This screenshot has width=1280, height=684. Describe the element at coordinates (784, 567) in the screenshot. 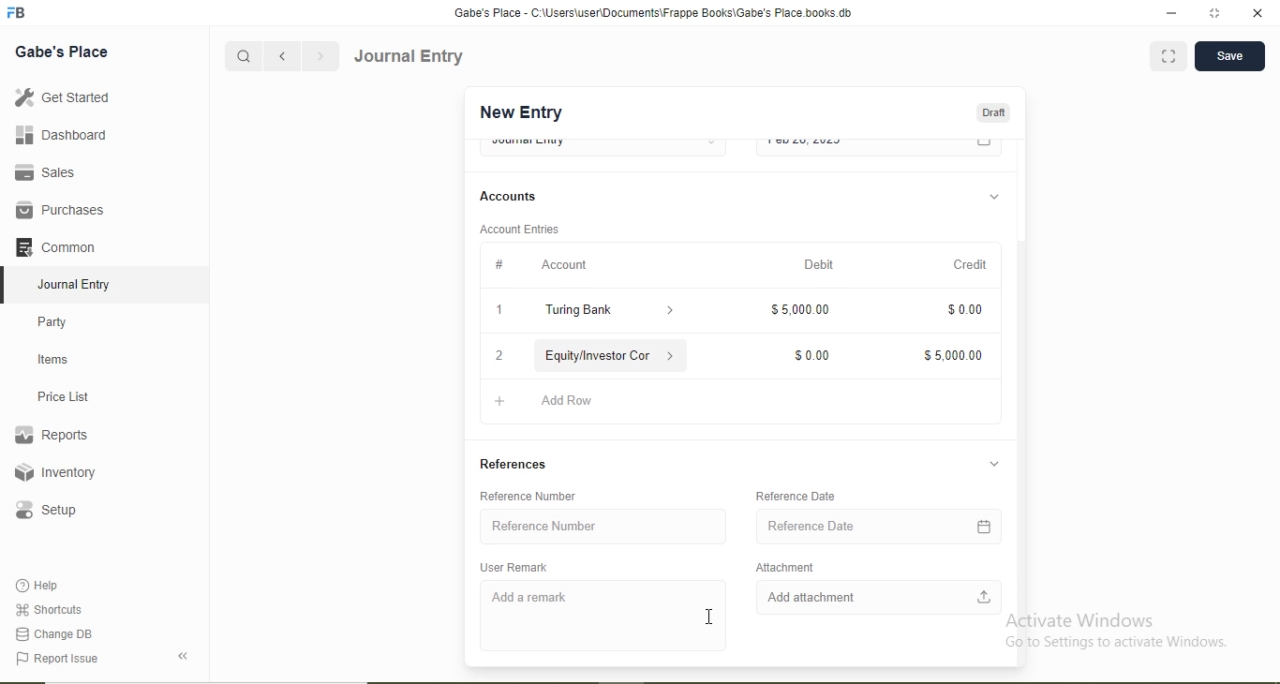

I see `Attachment` at that location.